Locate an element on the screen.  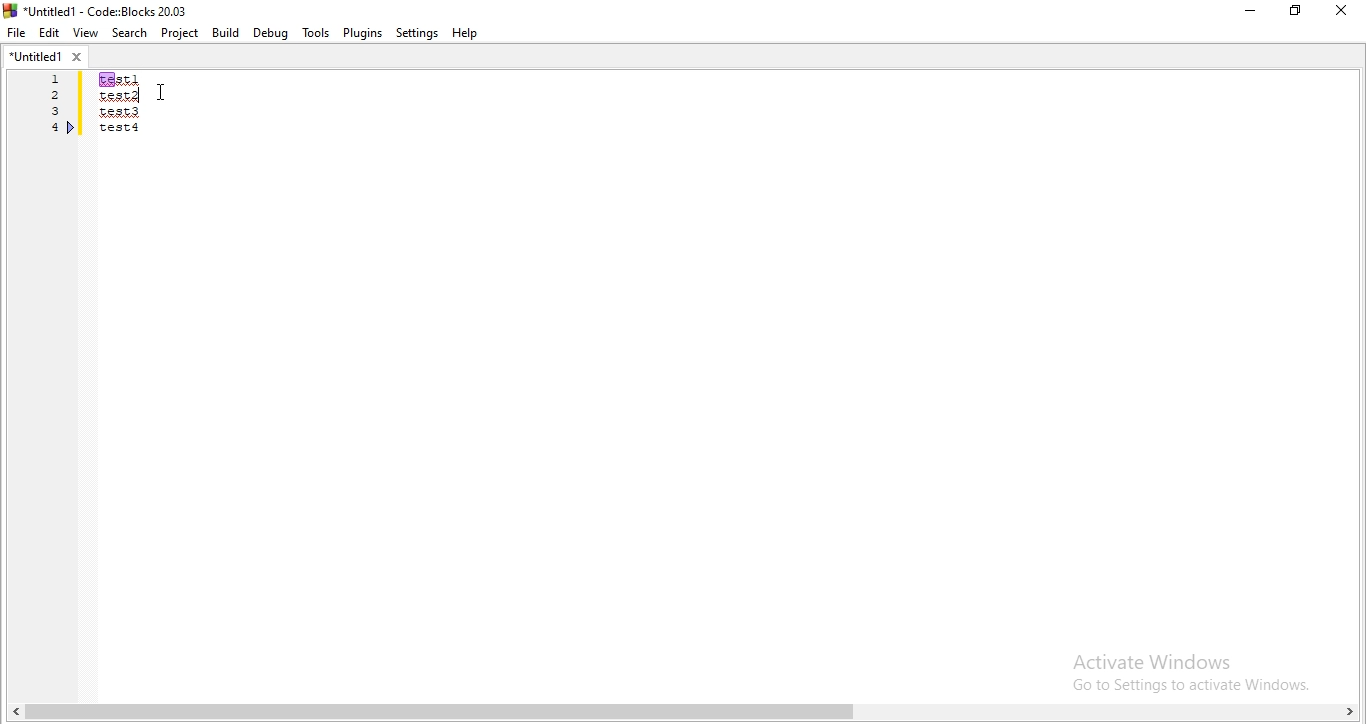
Untitled - Code:: blocks 2003 is located at coordinates (98, 8).